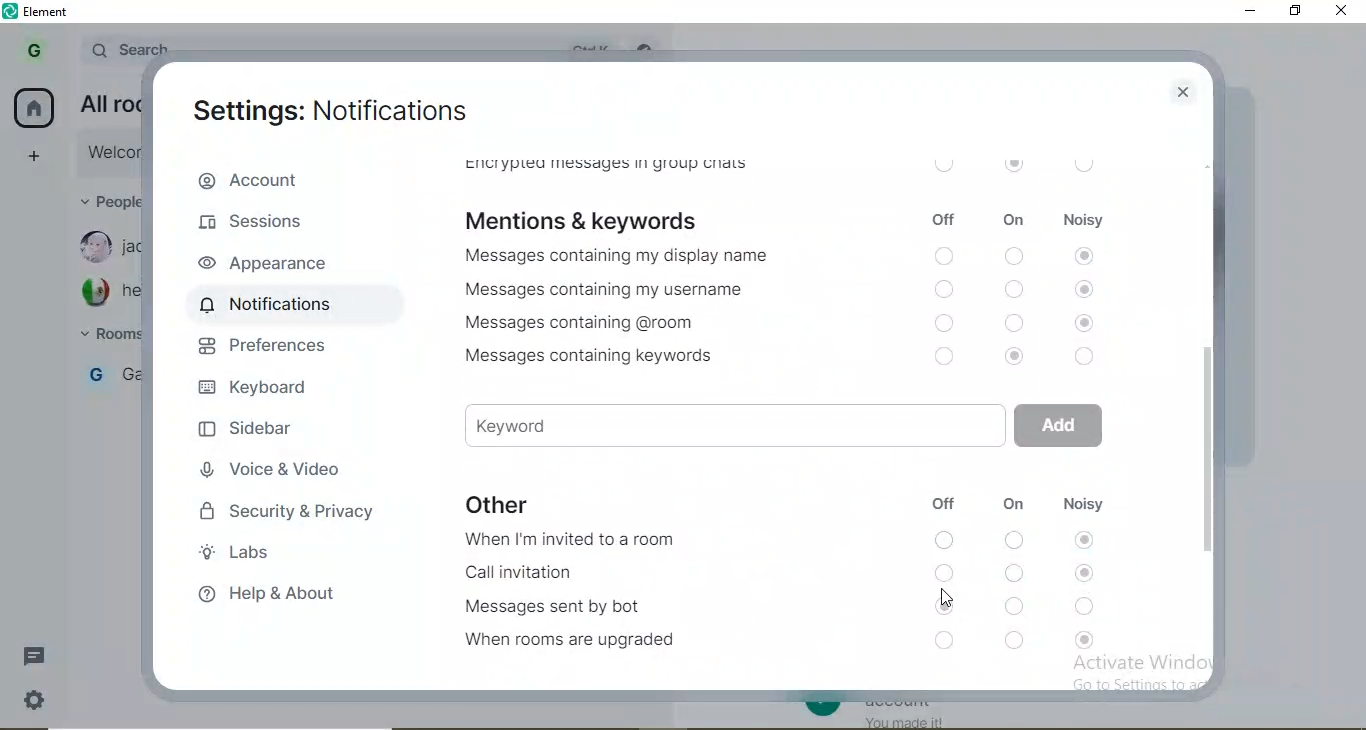 Image resolution: width=1366 pixels, height=730 pixels. I want to click on Search, so click(126, 49).